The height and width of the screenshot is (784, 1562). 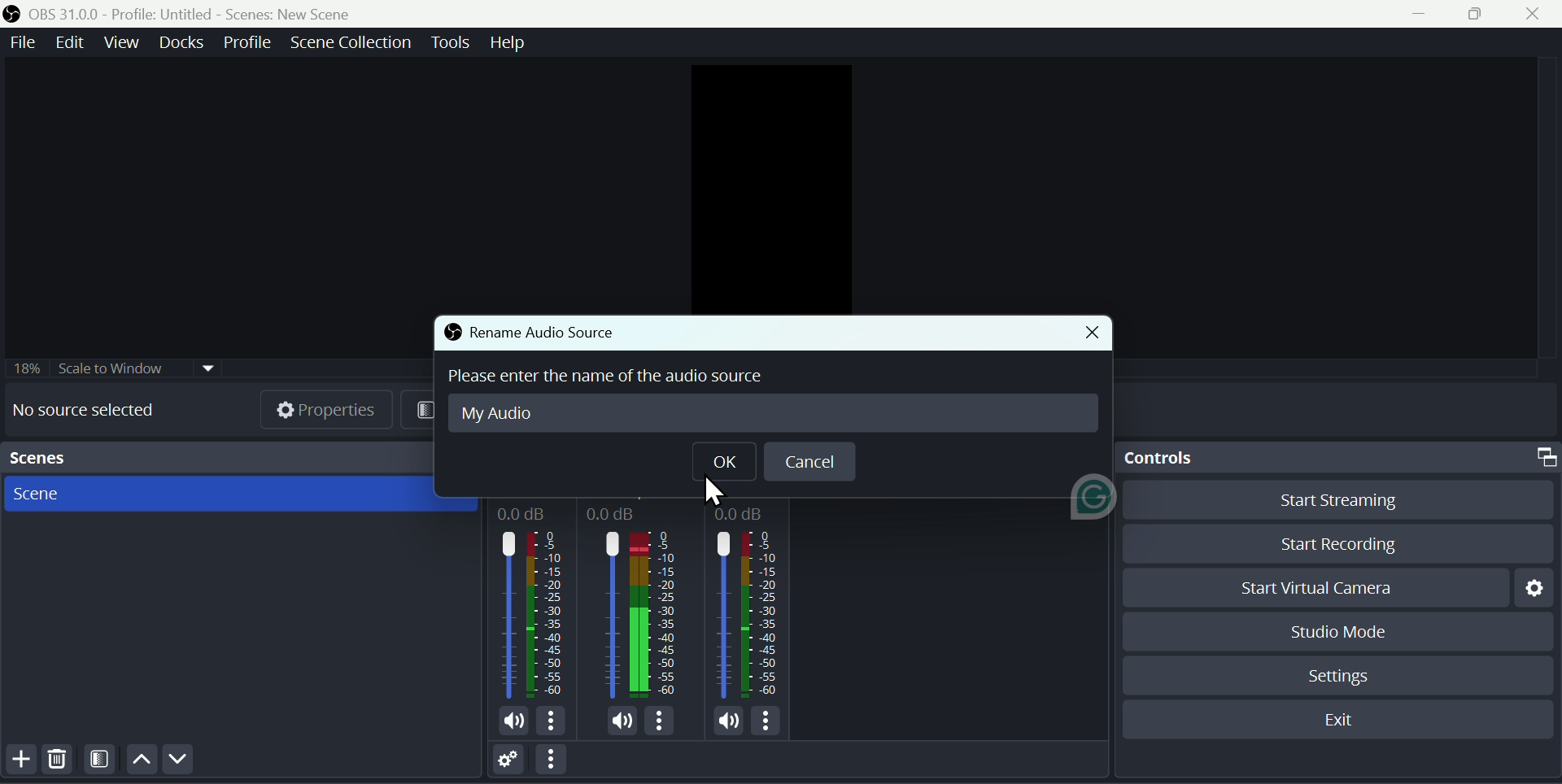 I want to click on add, so click(x=20, y=762).